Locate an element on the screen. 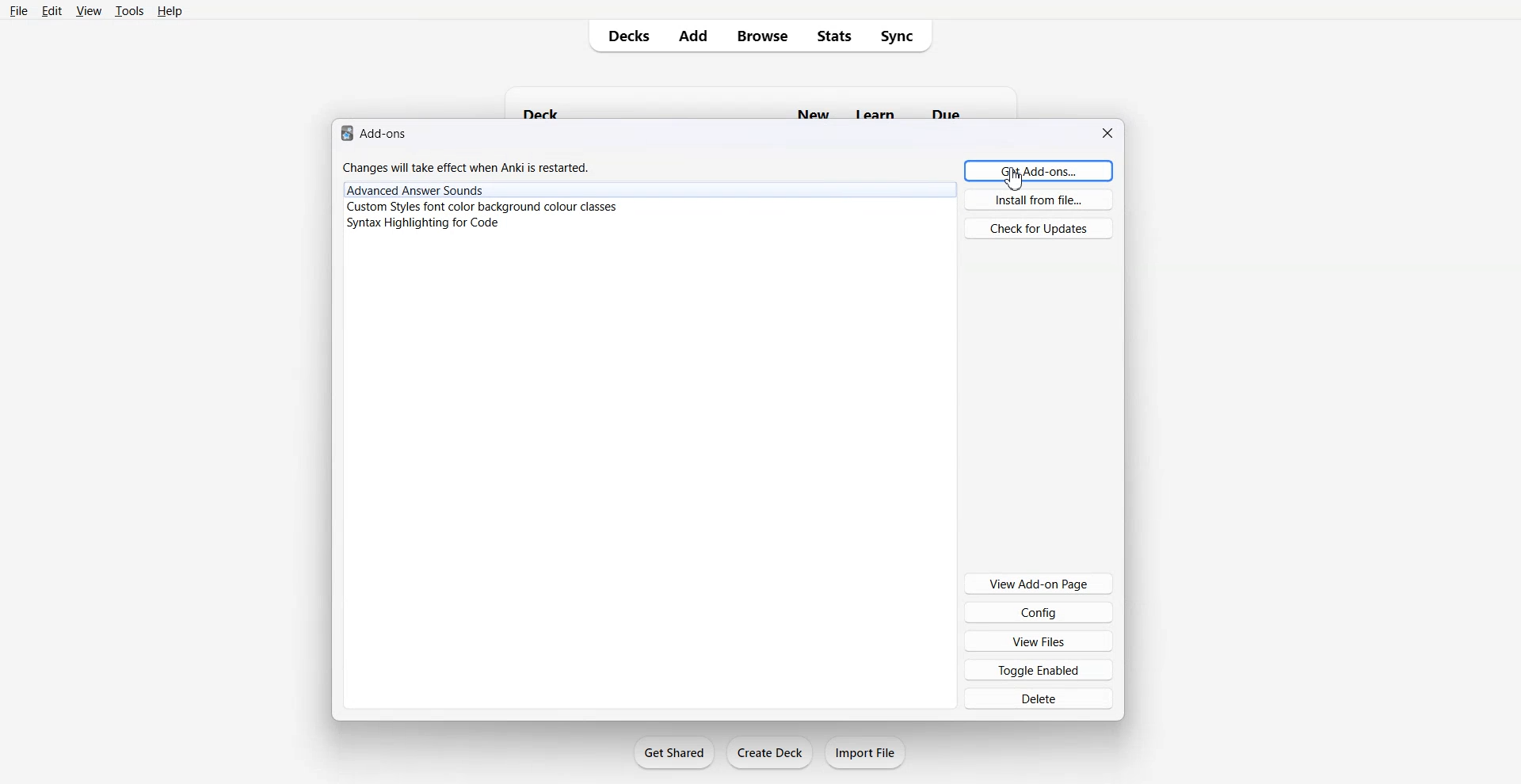  Config is located at coordinates (1039, 611).